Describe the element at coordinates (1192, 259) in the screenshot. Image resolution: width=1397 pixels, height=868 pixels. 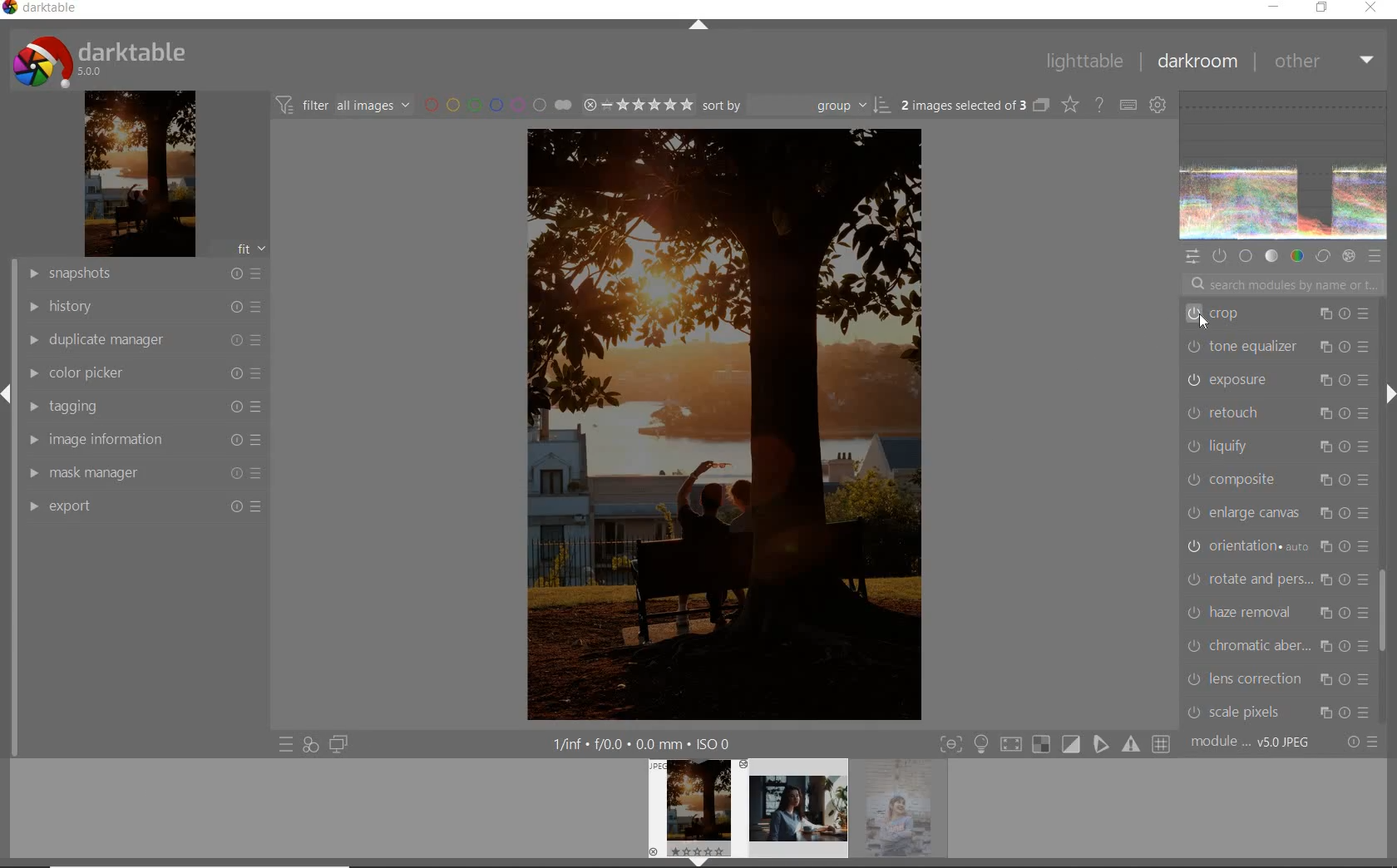
I see `quick access panel` at that location.